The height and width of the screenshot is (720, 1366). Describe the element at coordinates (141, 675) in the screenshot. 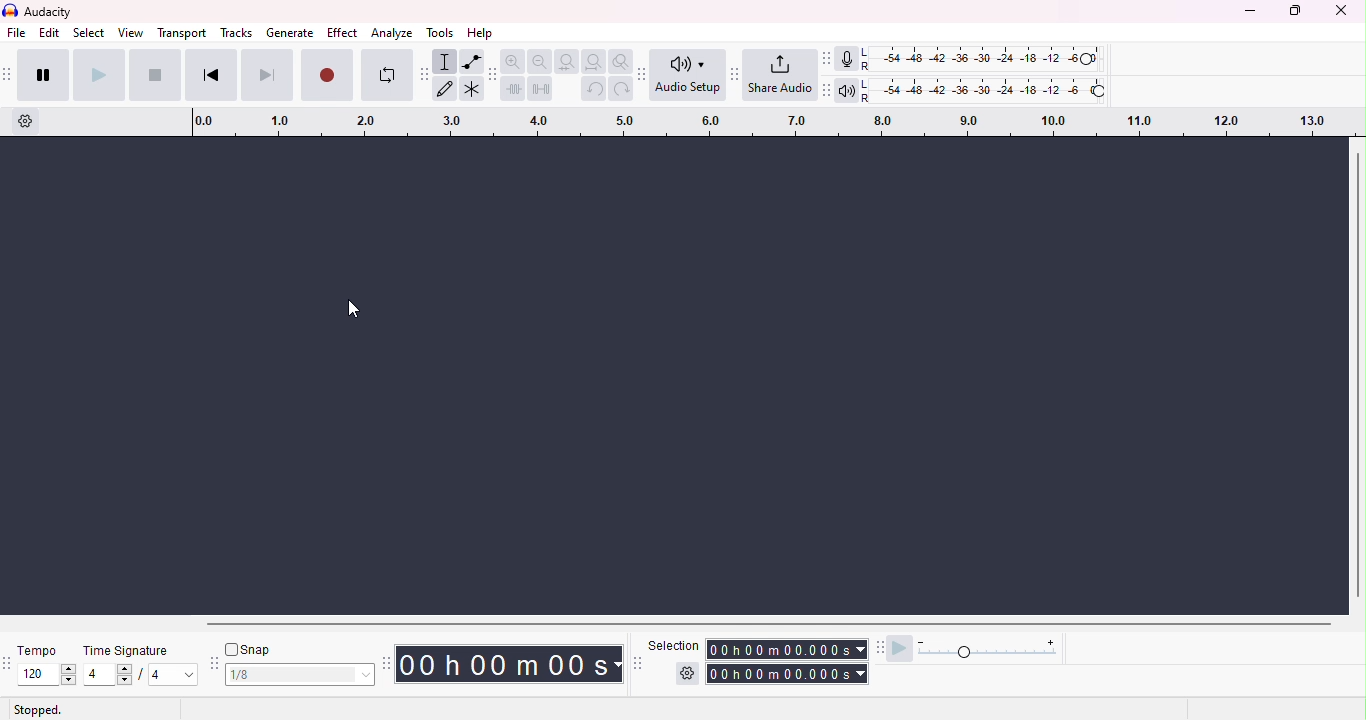

I see `select time signature` at that location.